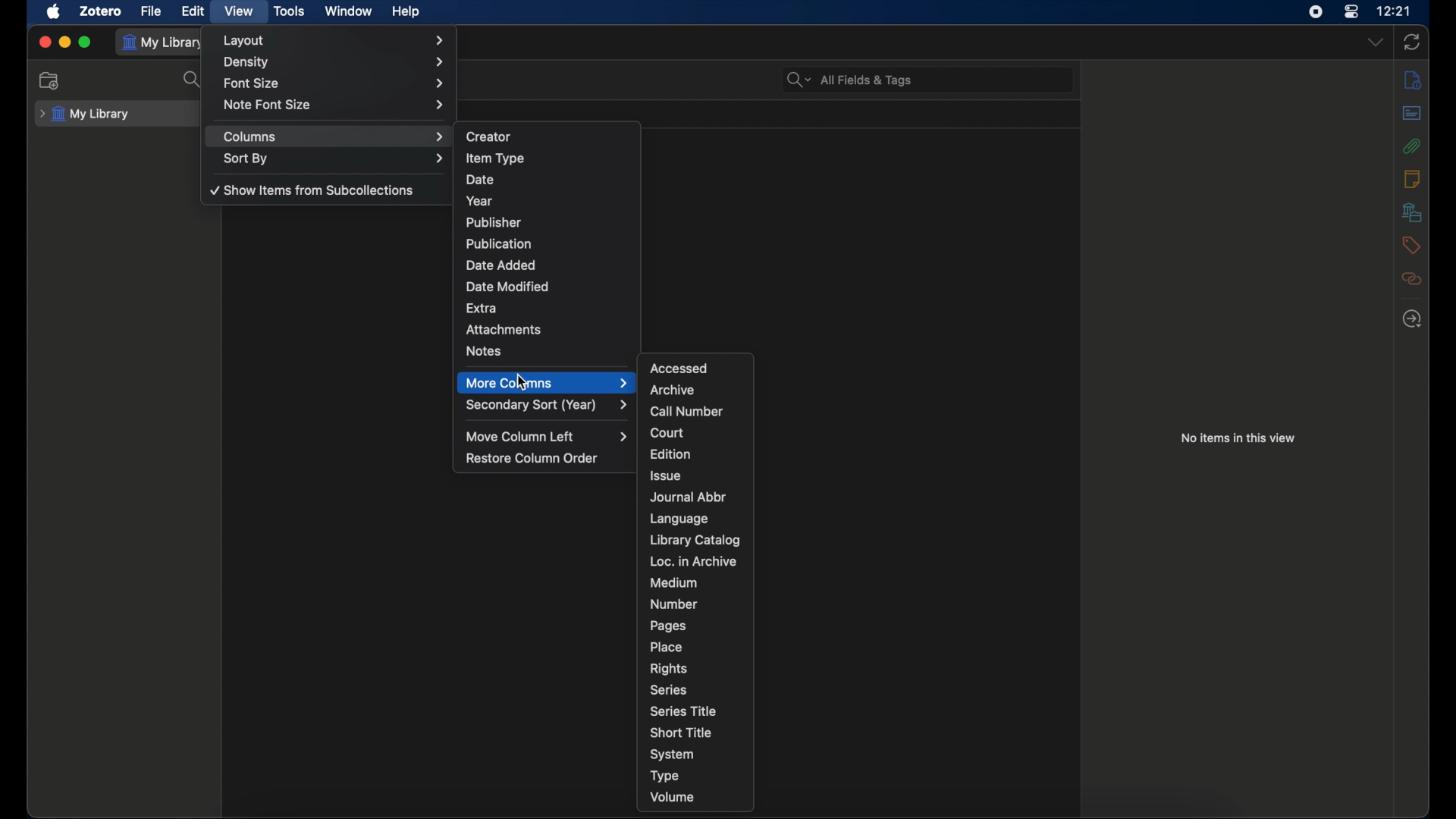 The width and height of the screenshot is (1456, 819). I want to click on system, so click(672, 755).